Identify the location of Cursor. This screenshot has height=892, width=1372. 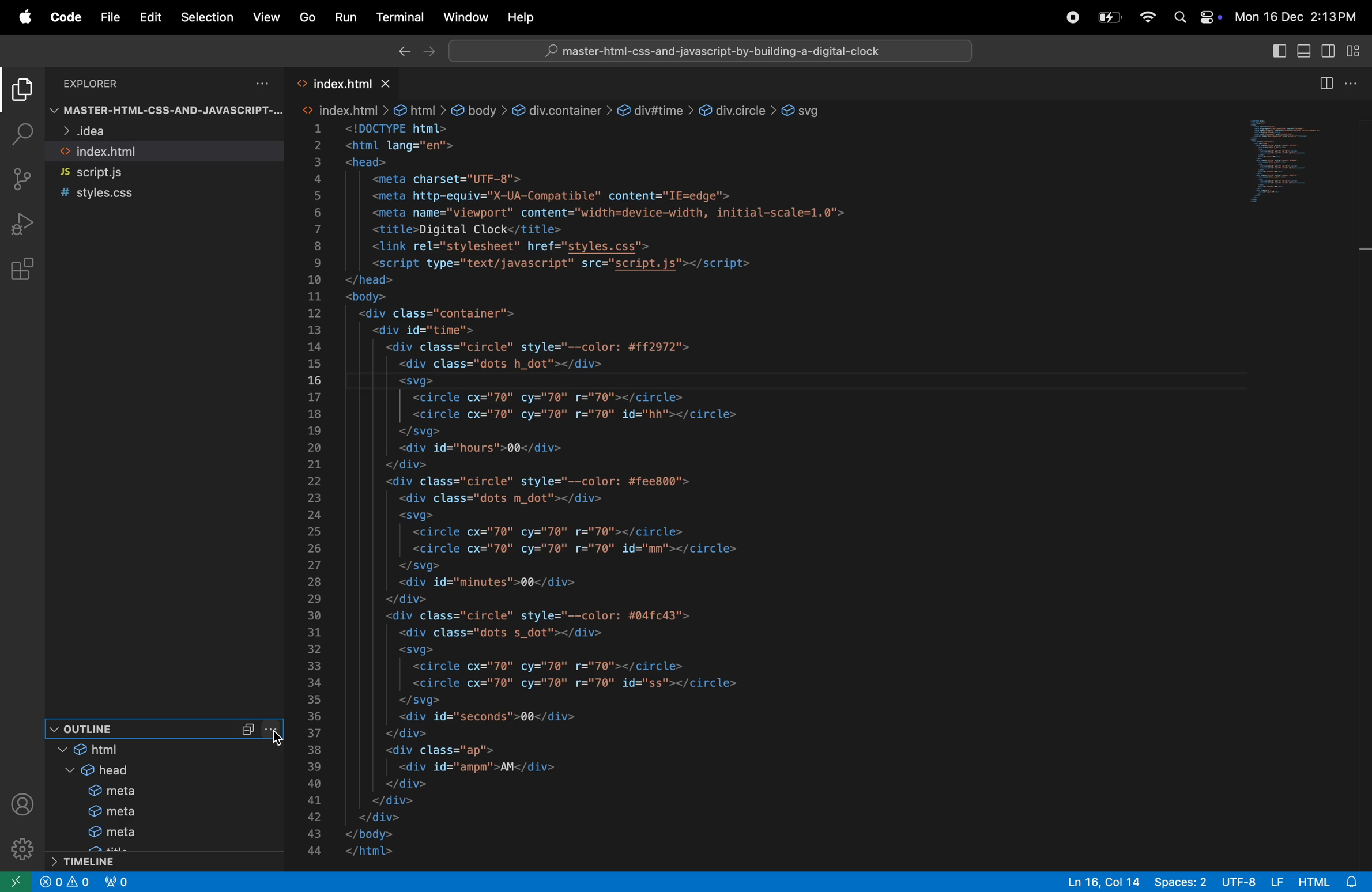
(277, 739).